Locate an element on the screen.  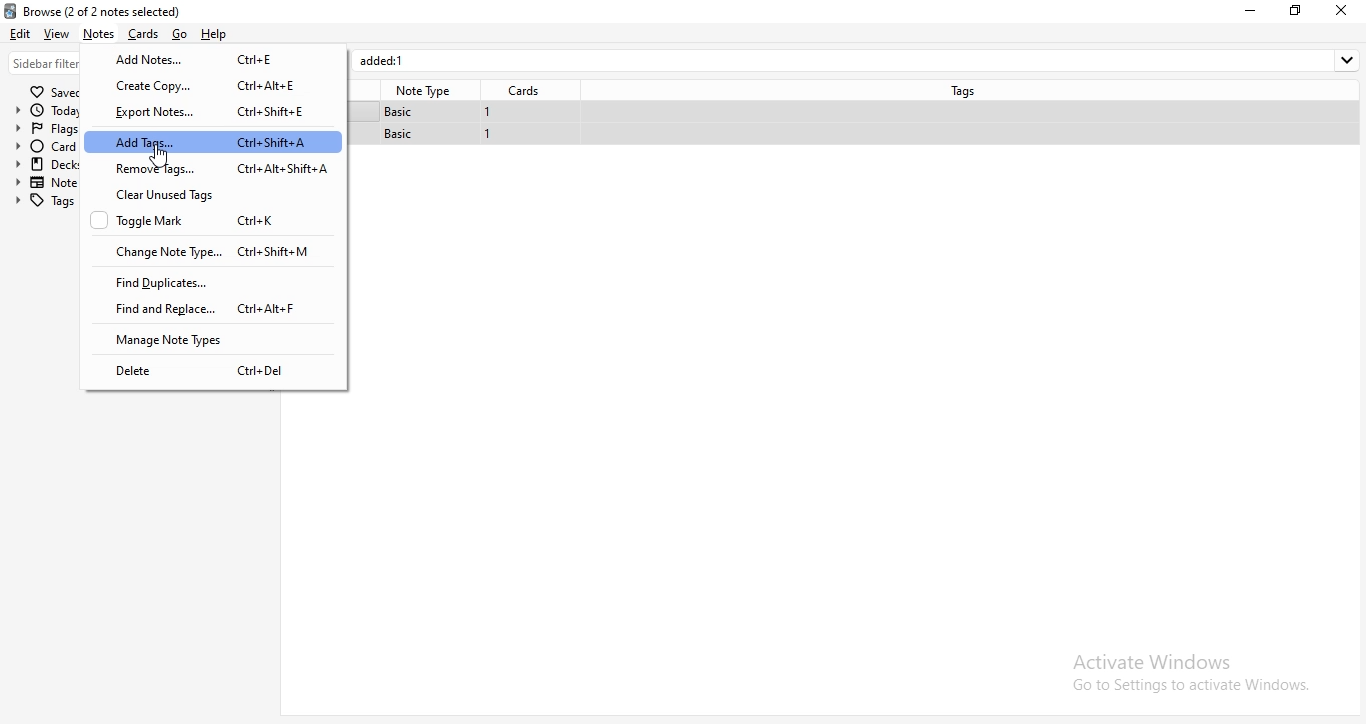
delete is located at coordinates (215, 372).